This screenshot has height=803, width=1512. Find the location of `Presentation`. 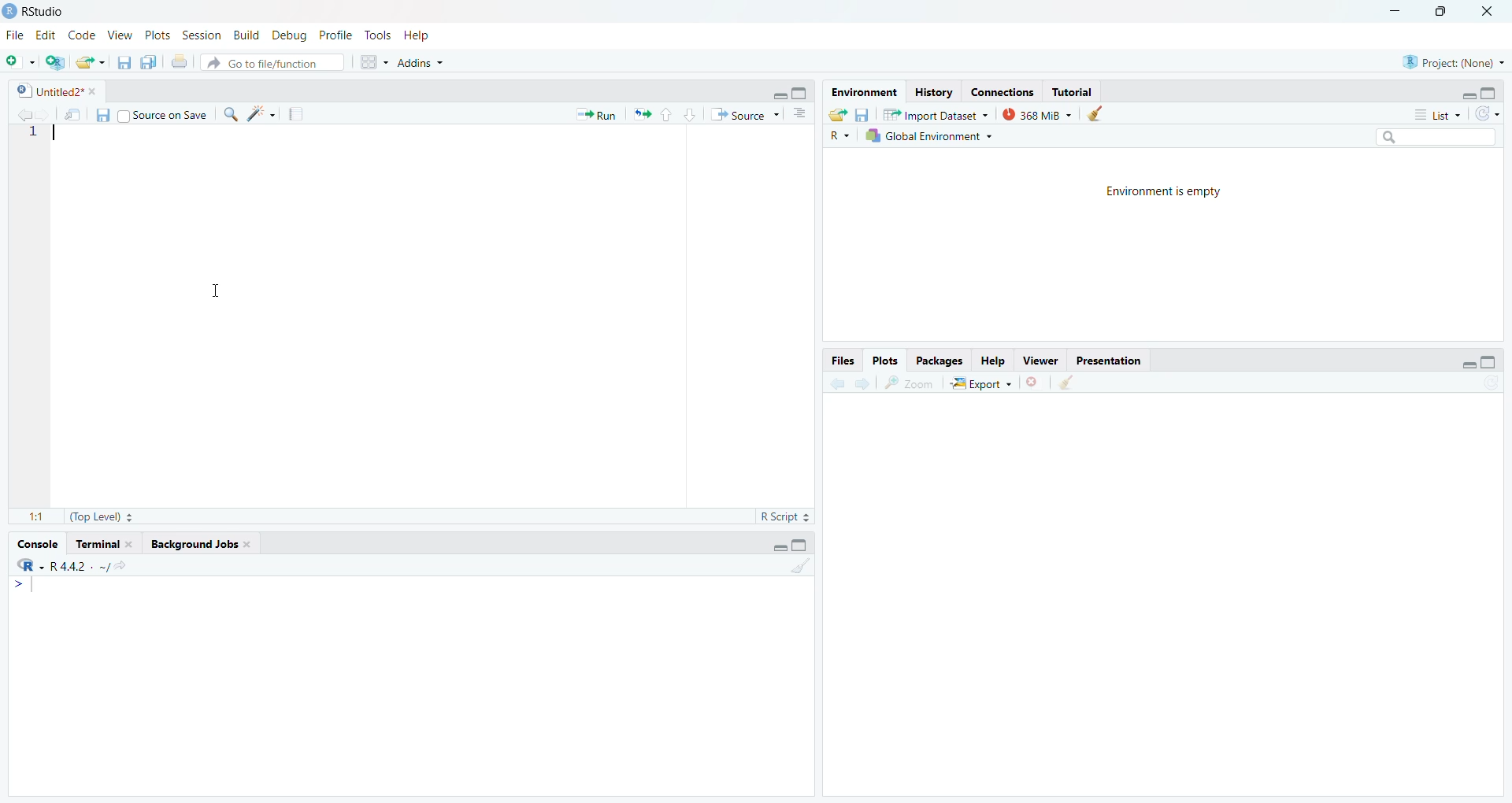

Presentation is located at coordinates (1114, 360).